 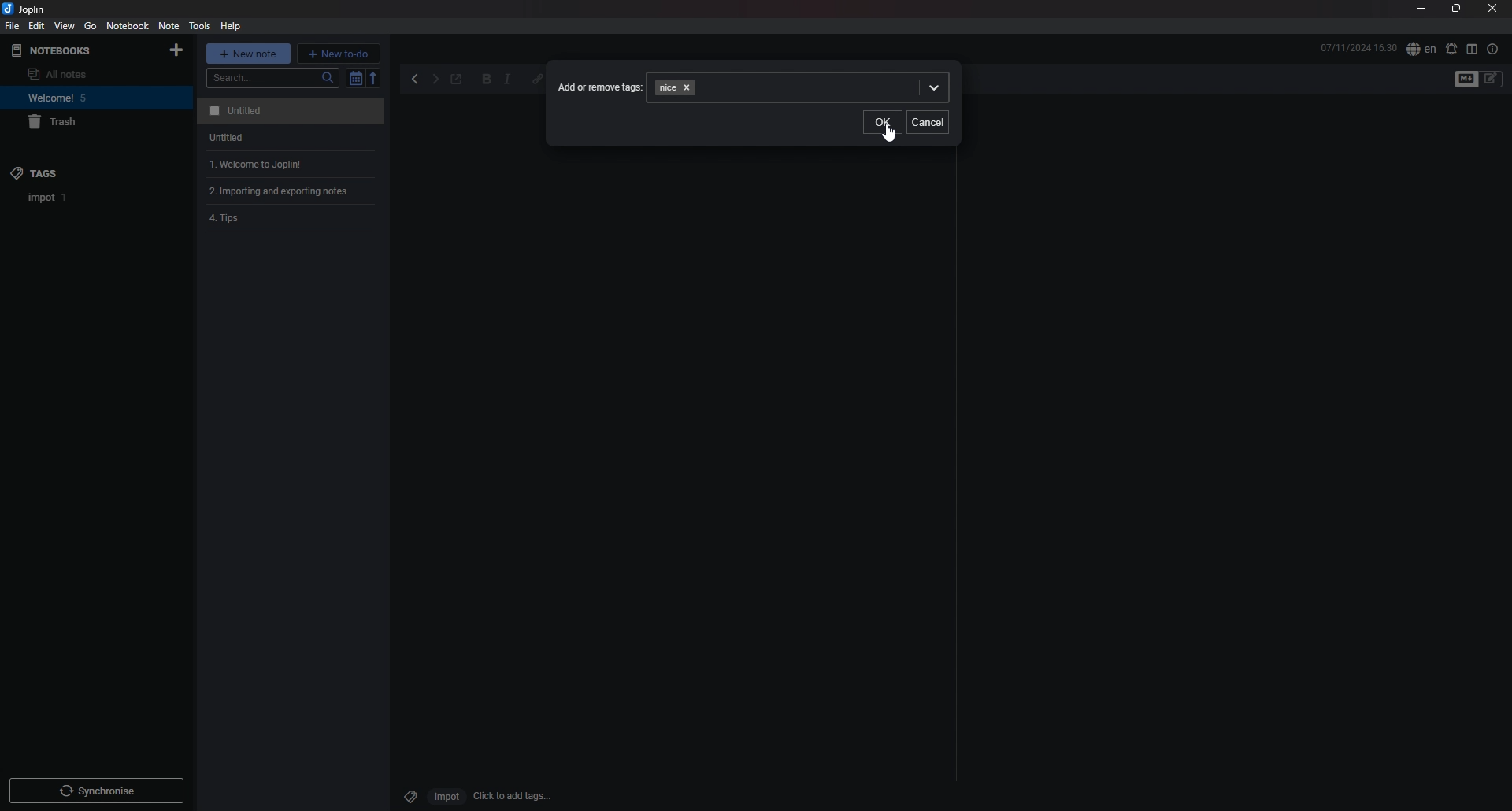 What do you see at coordinates (375, 77) in the screenshot?
I see `reverse sort order` at bounding box center [375, 77].